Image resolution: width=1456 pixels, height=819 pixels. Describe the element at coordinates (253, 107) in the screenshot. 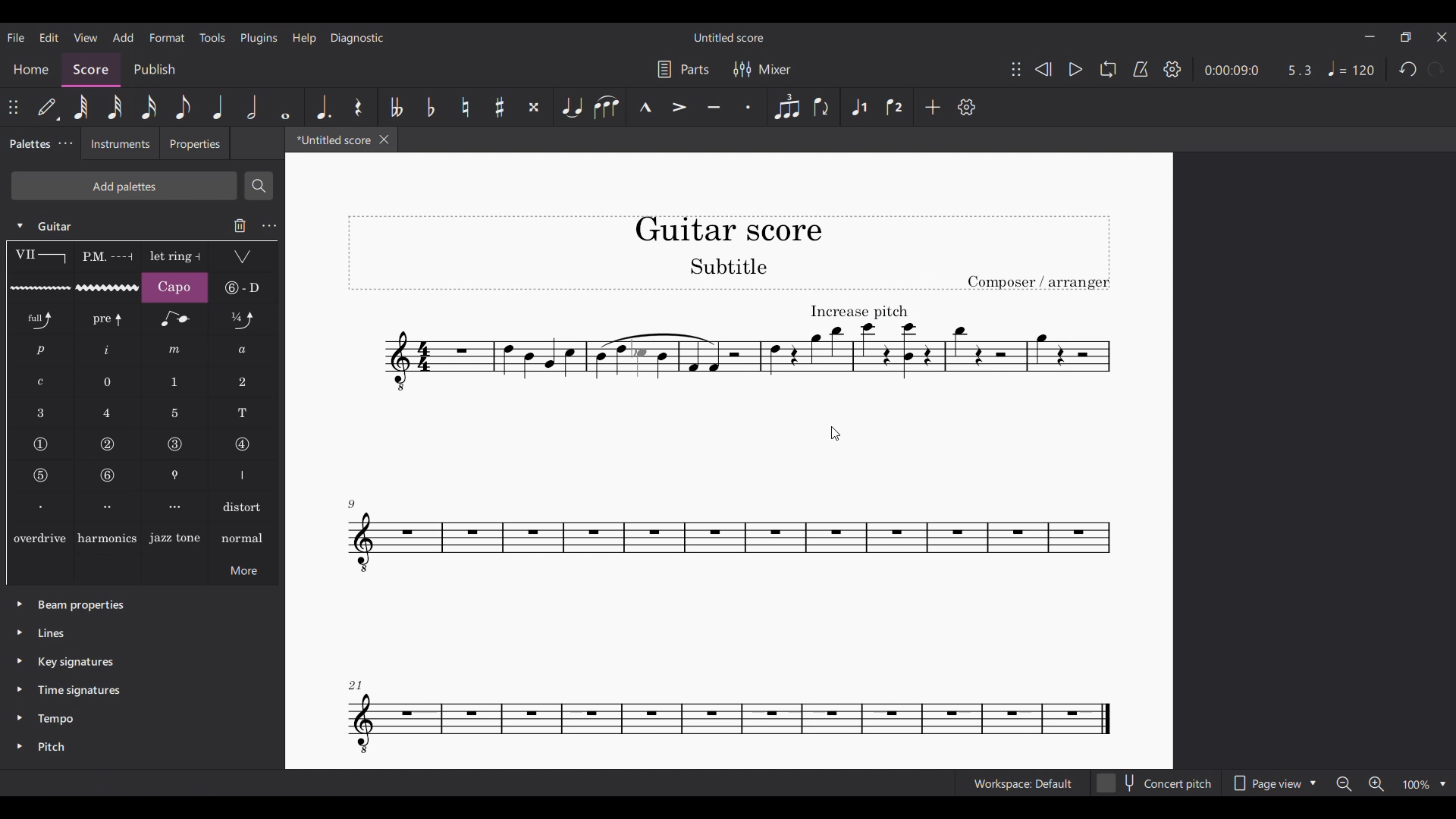

I see `Half note` at that location.